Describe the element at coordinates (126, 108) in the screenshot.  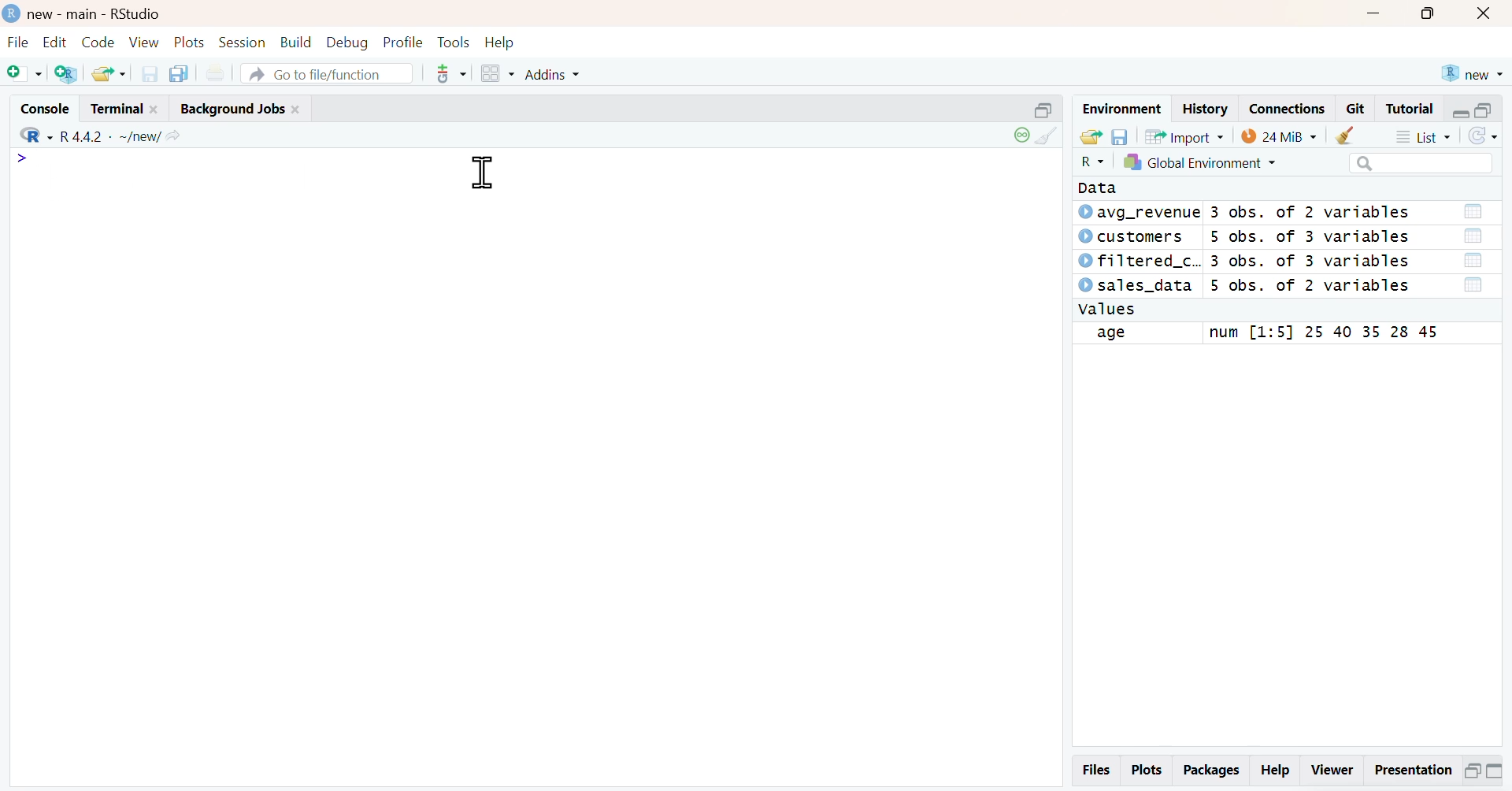
I see `Terminal` at that location.